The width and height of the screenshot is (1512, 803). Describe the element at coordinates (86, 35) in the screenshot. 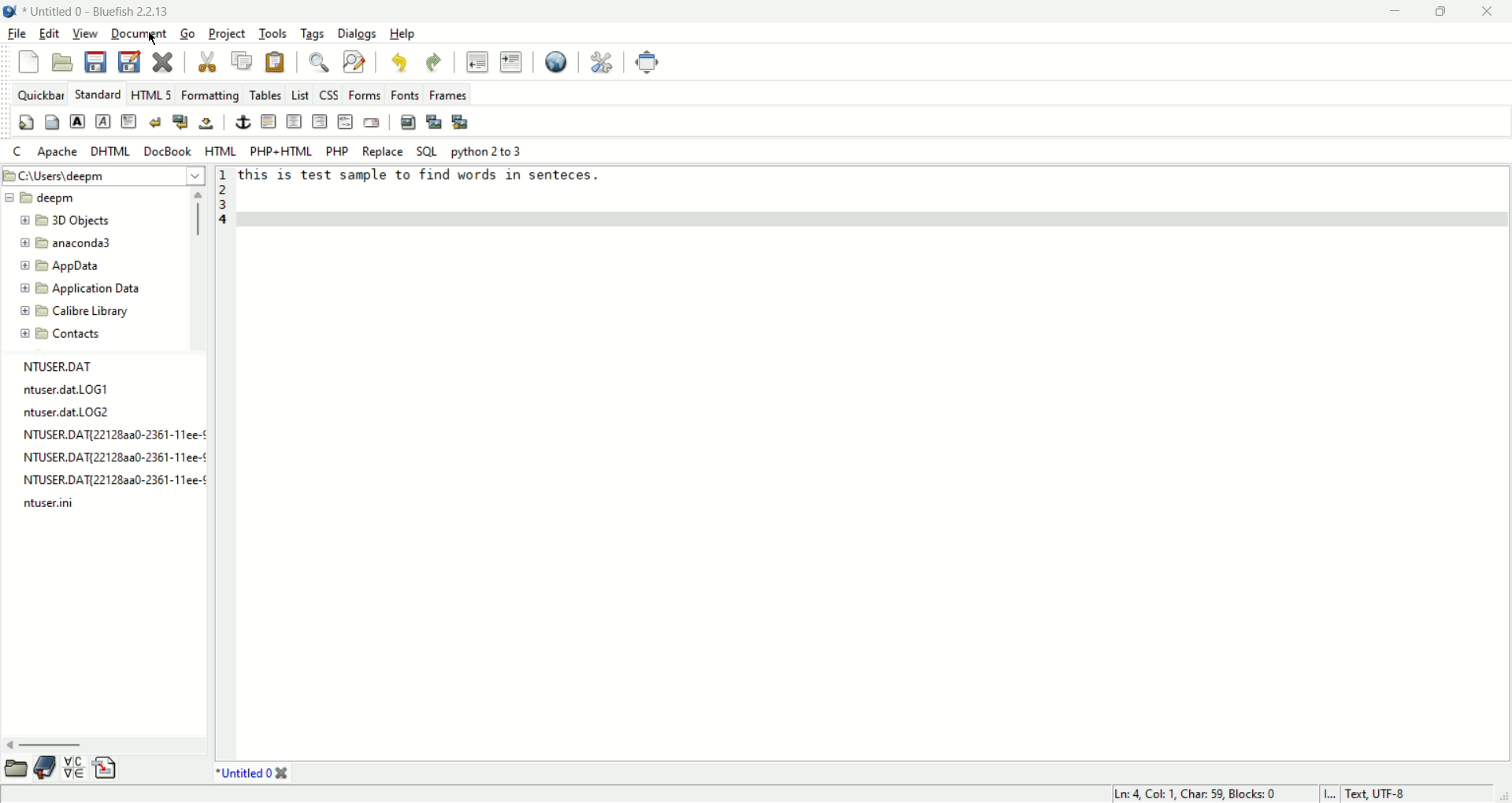

I see `view` at that location.